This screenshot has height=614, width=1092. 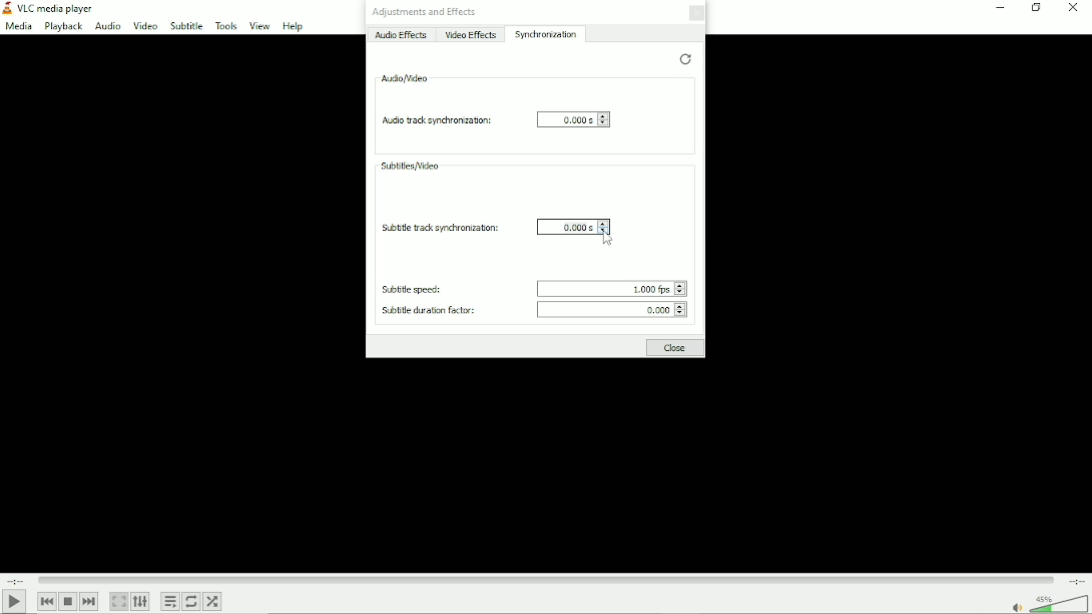 What do you see at coordinates (141, 602) in the screenshot?
I see `Show extended settings` at bounding box center [141, 602].